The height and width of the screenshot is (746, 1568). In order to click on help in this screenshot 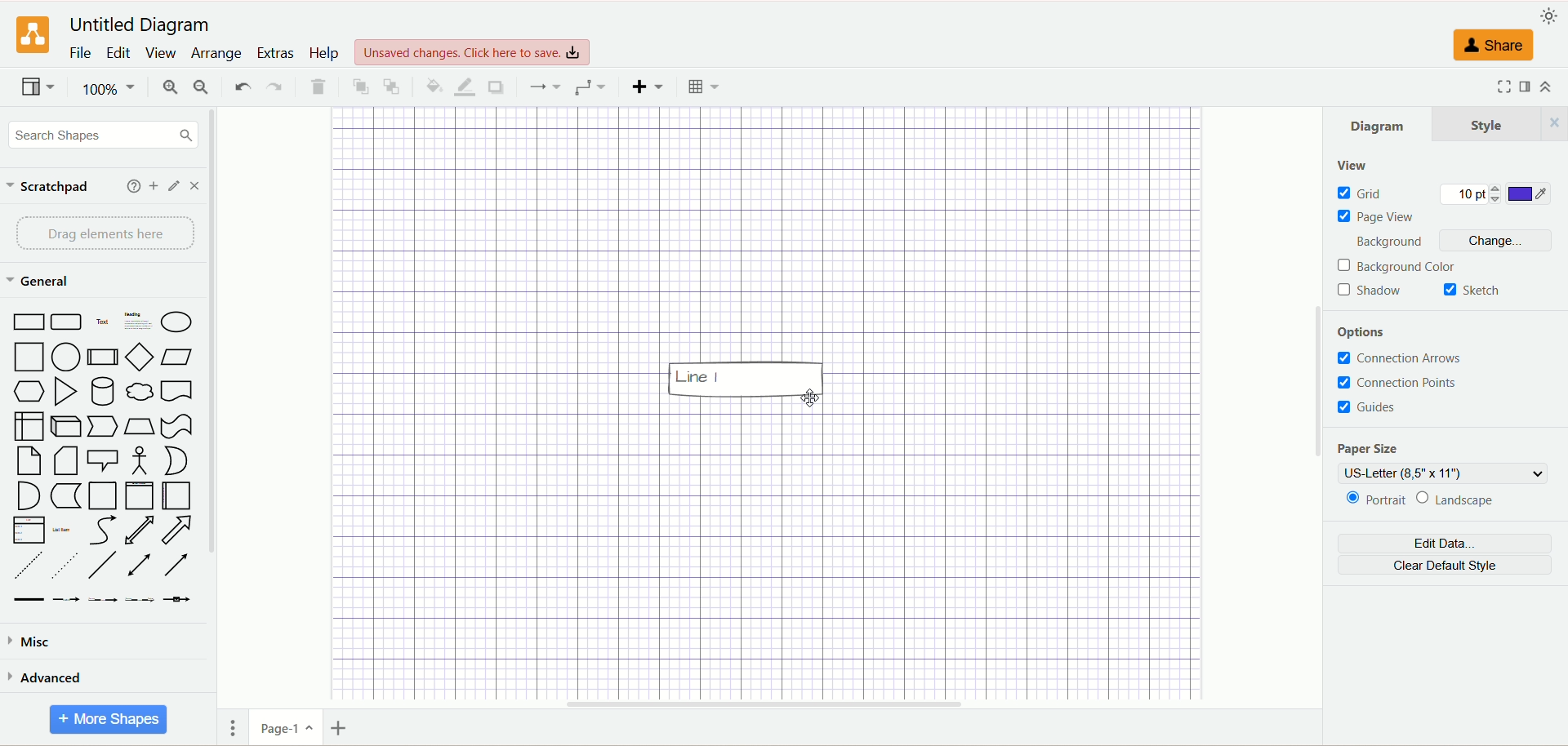, I will do `click(327, 55)`.